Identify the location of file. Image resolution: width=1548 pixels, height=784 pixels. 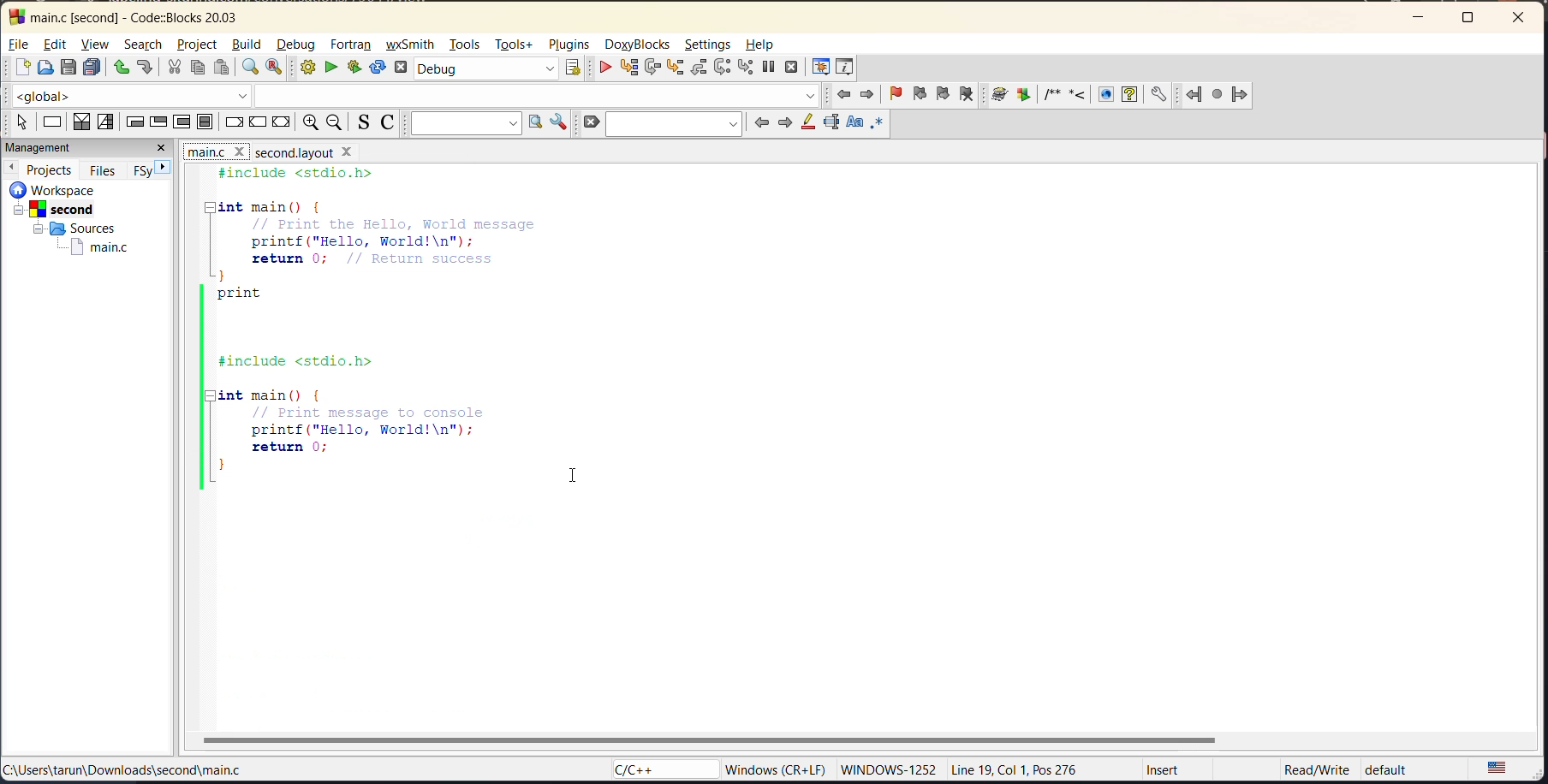
(17, 44).